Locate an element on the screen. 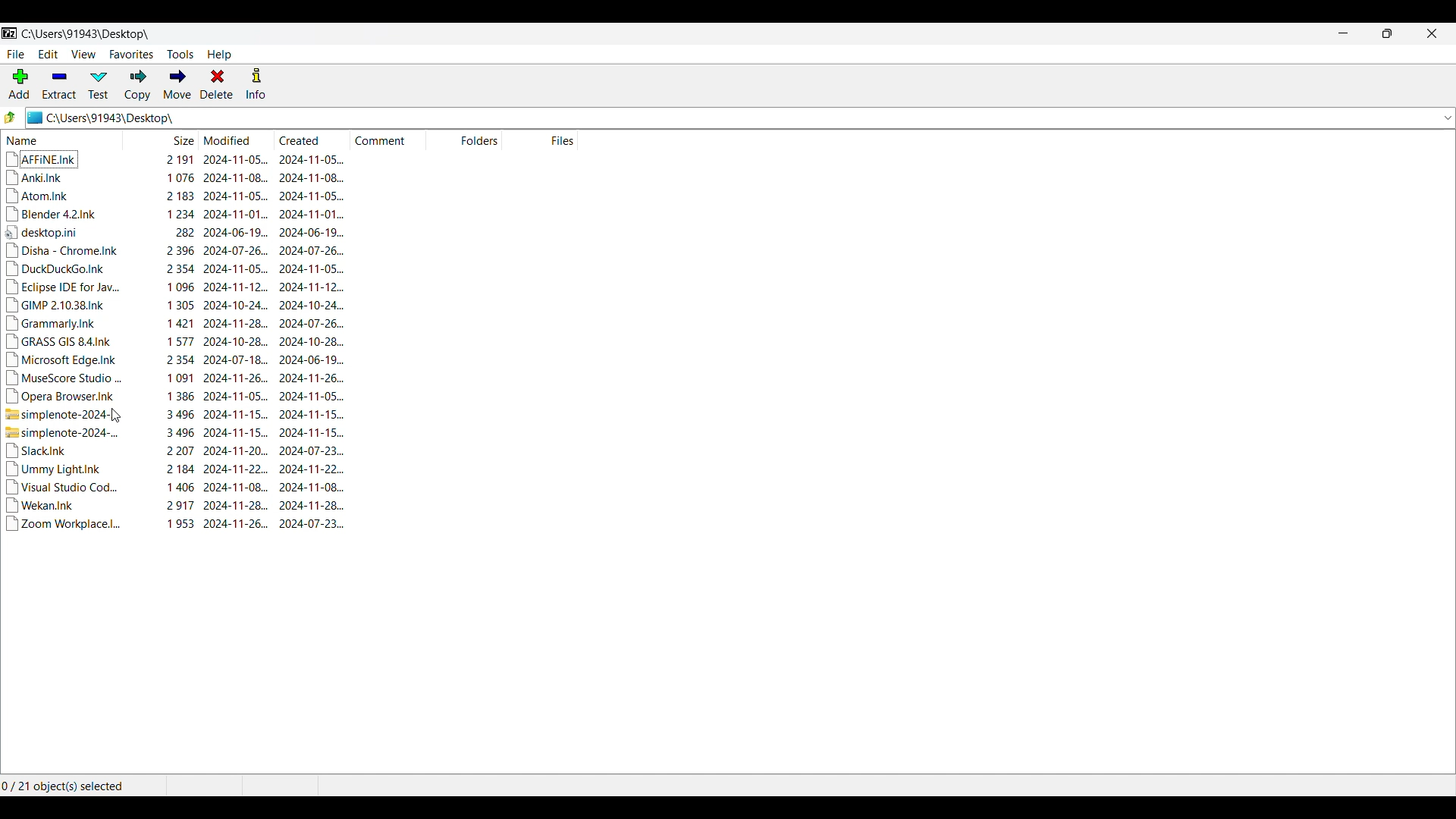 The height and width of the screenshot is (819, 1456). C:\Users\91943\Desktop\ is located at coordinates (147, 118).